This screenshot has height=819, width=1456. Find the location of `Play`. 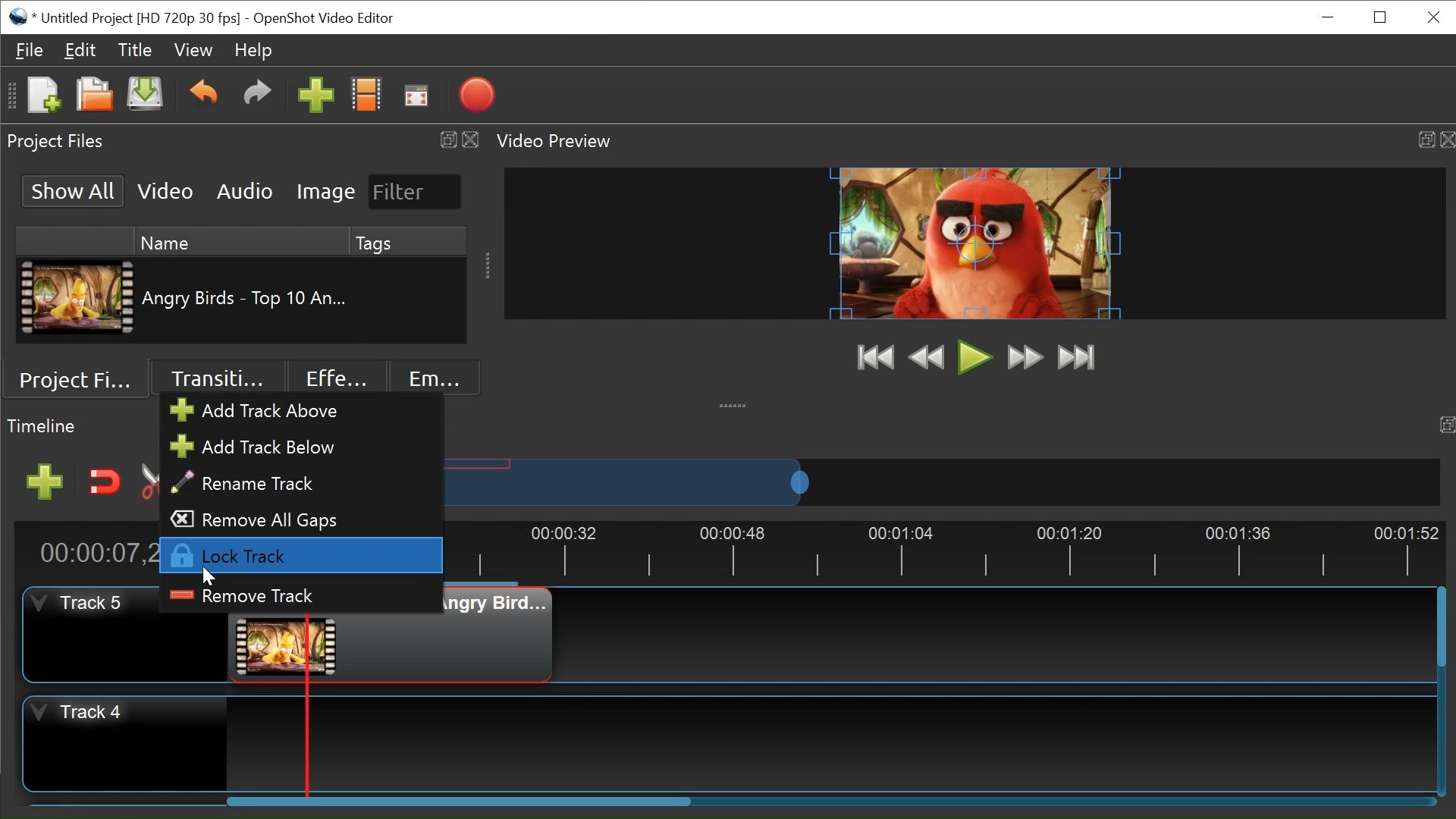

Play is located at coordinates (975, 356).